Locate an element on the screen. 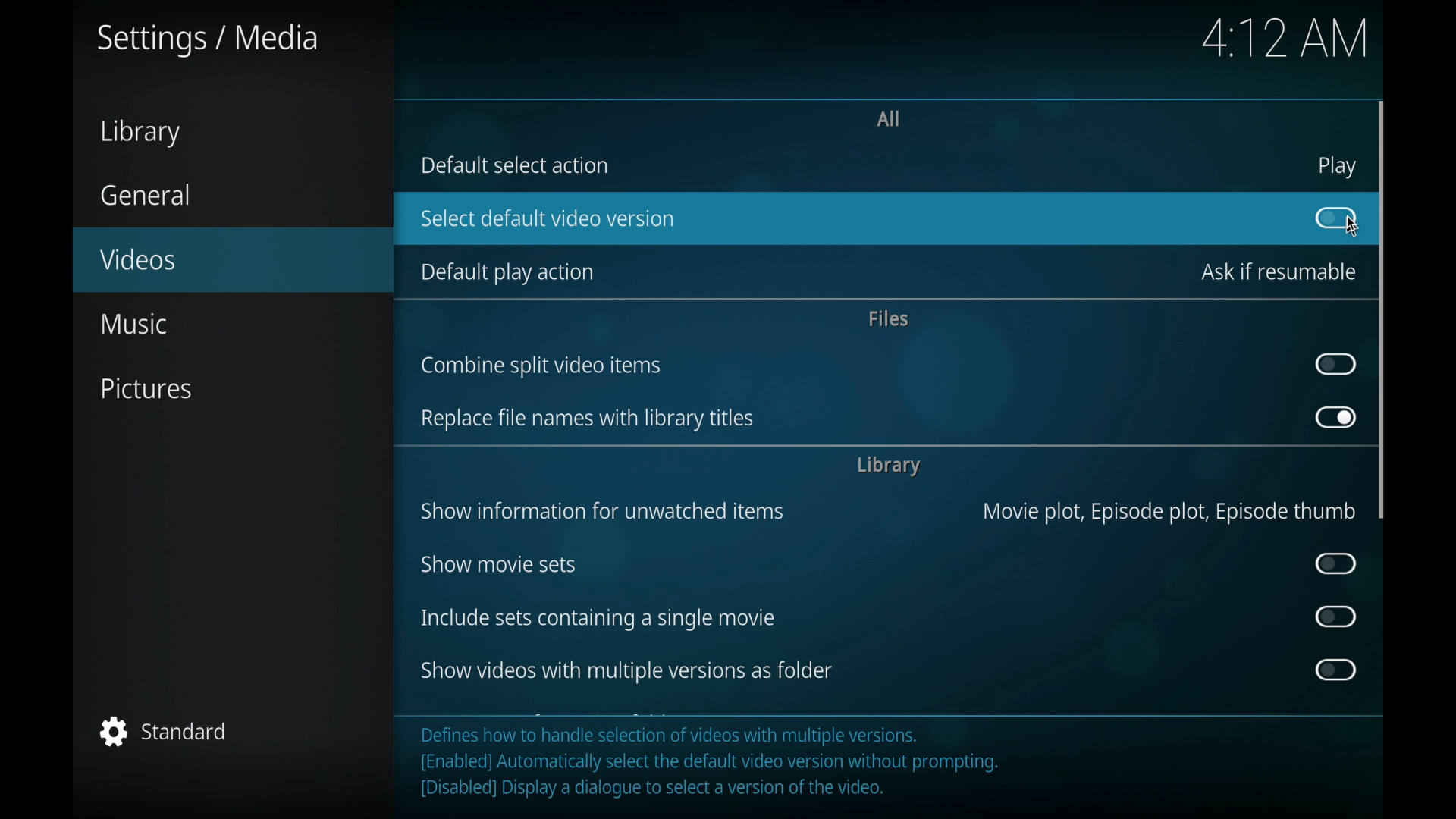 This screenshot has height=819, width=1456. include sets containing a single movie is located at coordinates (597, 619).